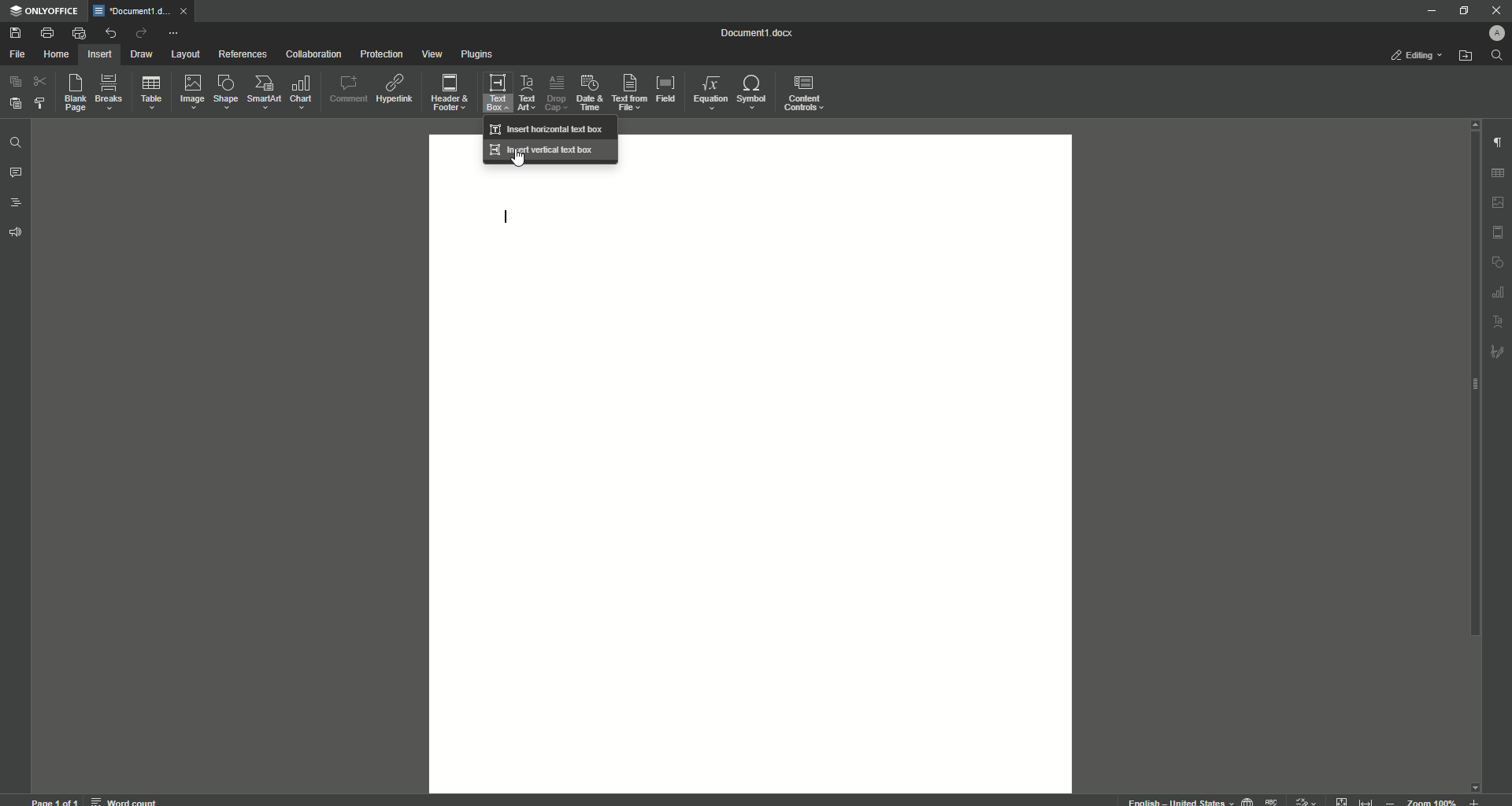 The height and width of the screenshot is (806, 1512). I want to click on Breaks, so click(109, 93).